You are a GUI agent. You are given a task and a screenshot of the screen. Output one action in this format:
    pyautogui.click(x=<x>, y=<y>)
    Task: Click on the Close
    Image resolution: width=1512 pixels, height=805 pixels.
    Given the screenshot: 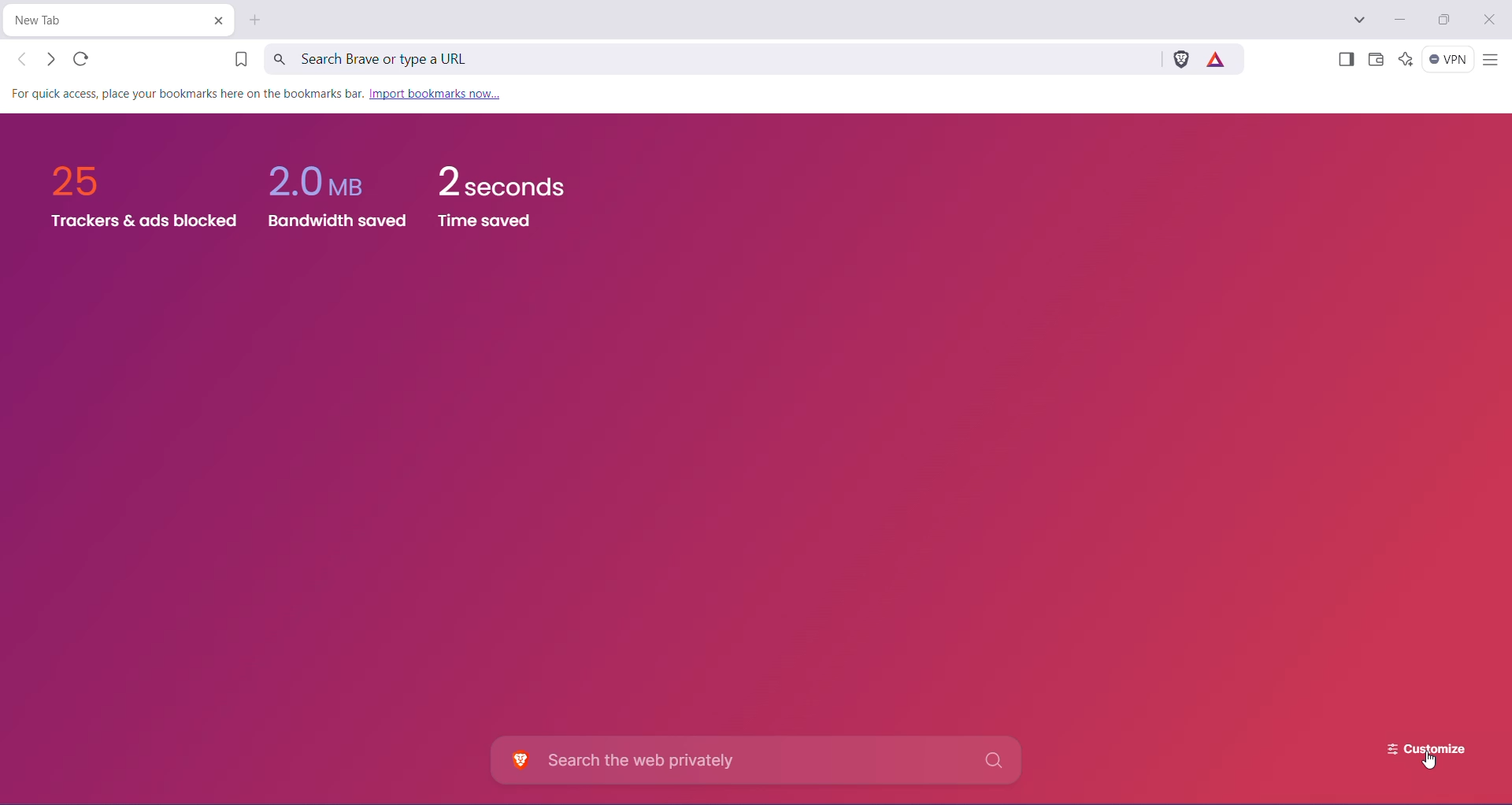 What is the action you would take?
    pyautogui.click(x=1491, y=20)
    